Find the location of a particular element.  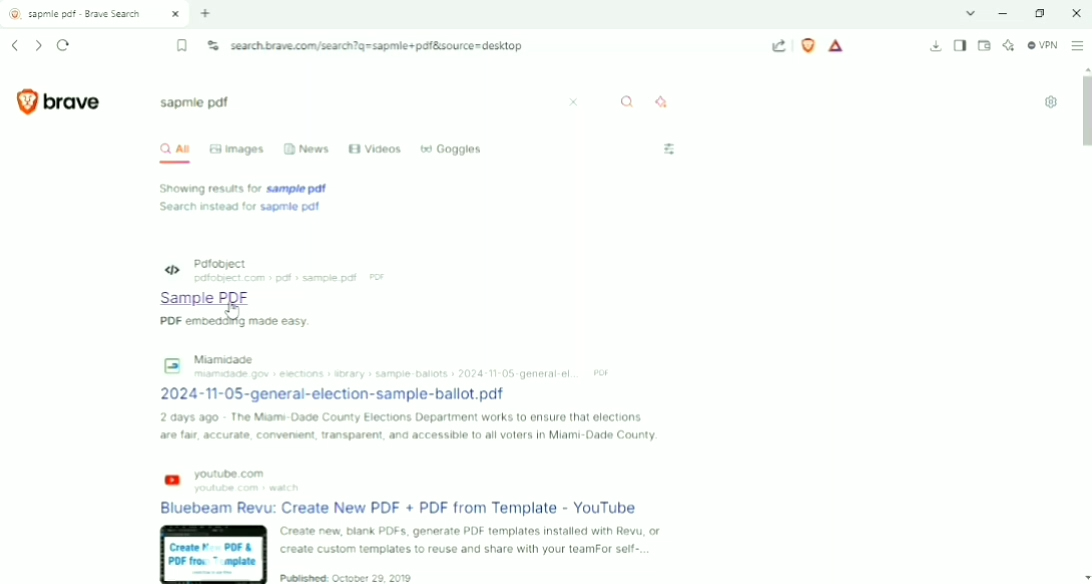

Showing results for sample pdf is located at coordinates (248, 188).